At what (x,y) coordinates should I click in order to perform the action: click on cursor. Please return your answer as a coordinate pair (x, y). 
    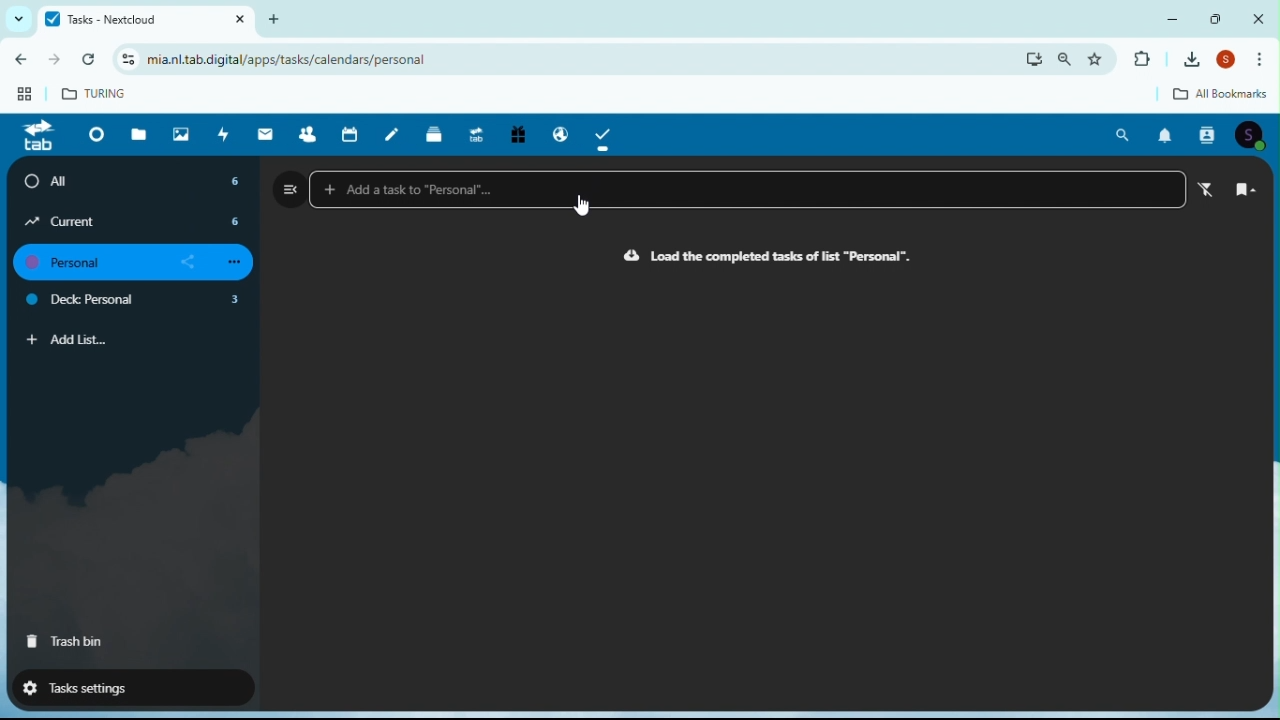
    Looking at the image, I should click on (584, 208).